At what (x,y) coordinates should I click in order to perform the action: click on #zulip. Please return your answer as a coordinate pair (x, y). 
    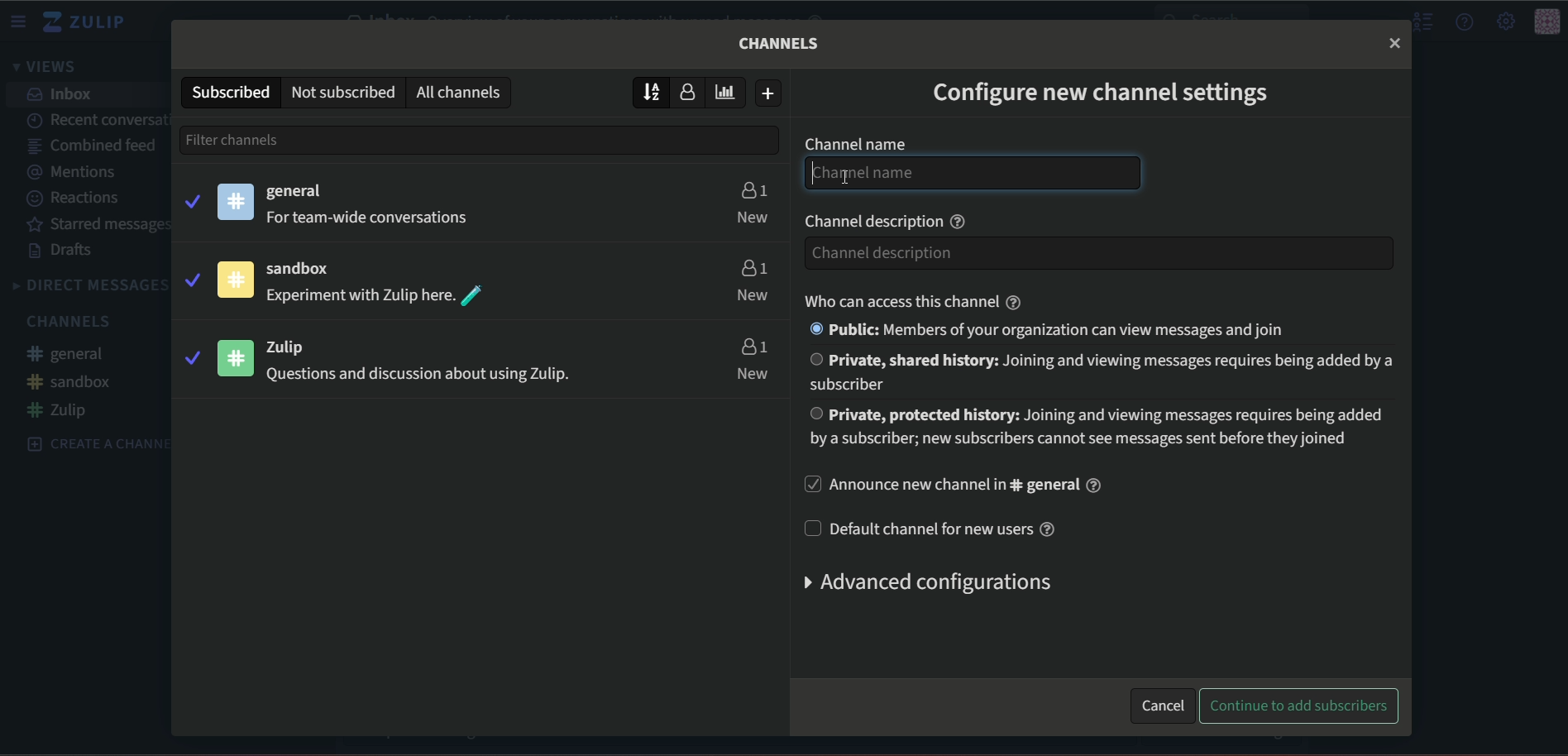
    Looking at the image, I should click on (63, 410).